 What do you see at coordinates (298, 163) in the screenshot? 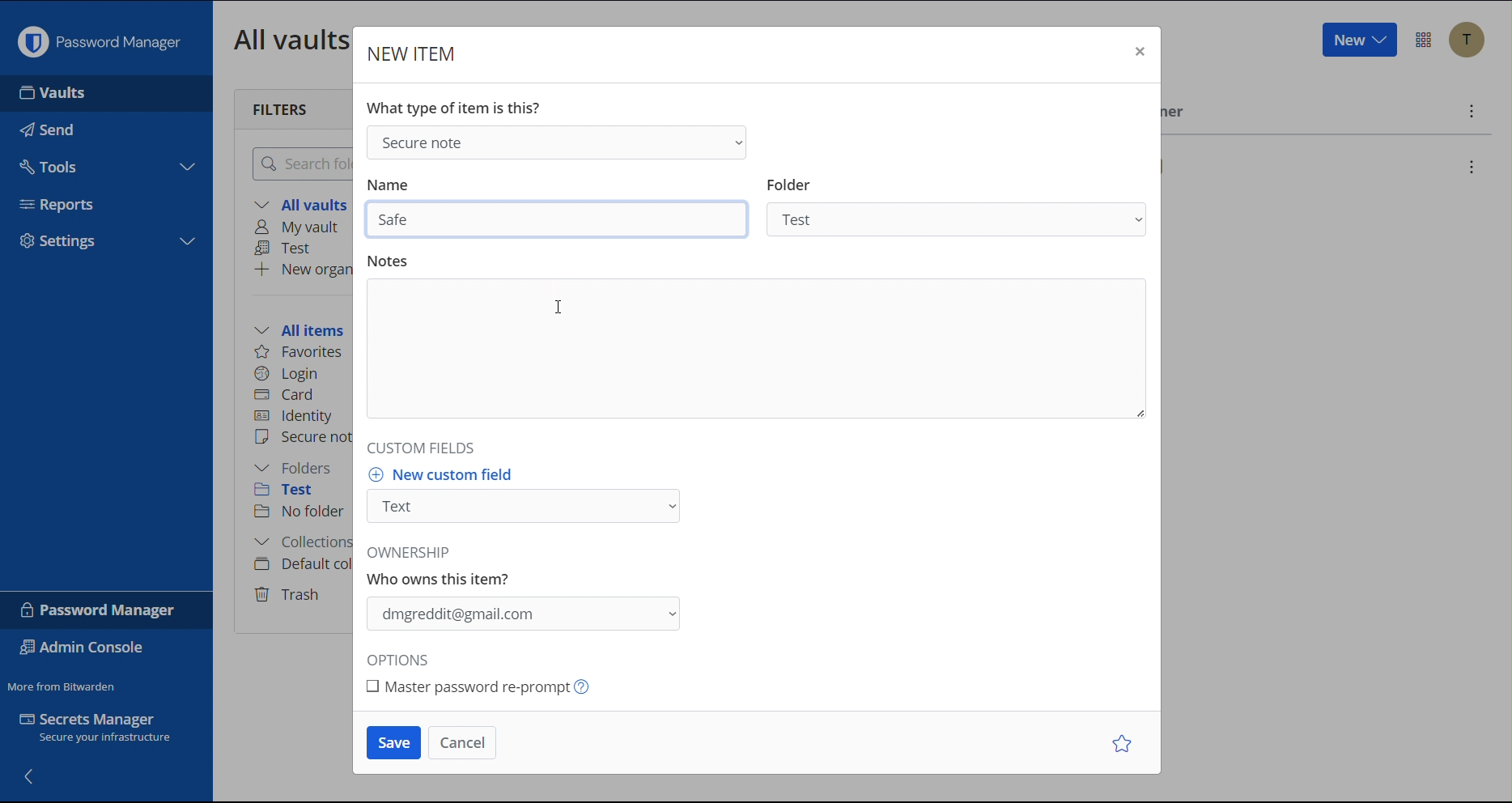
I see `Search Folder` at bounding box center [298, 163].